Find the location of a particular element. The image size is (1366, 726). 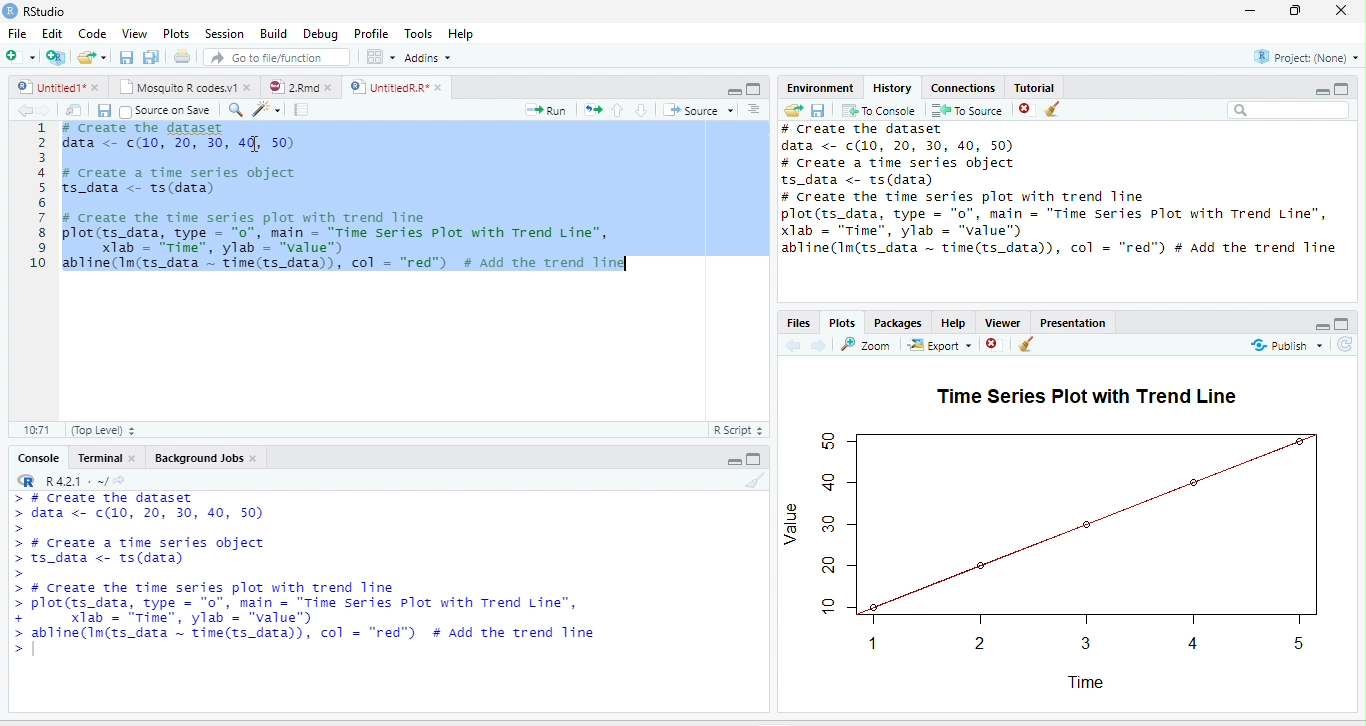

Go forward to next source location is located at coordinates (44, 110).